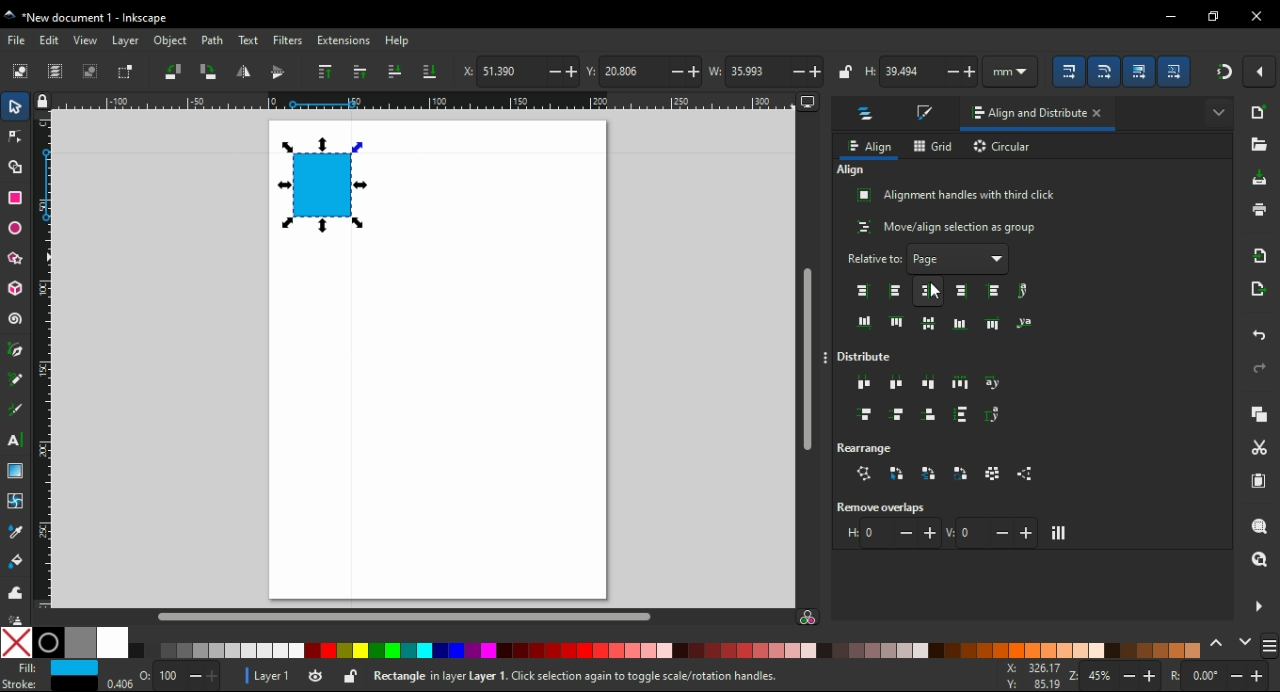  Describe the element at coordinates (351, 676) in the screenshot. I see `selected object unlocked` at that location.